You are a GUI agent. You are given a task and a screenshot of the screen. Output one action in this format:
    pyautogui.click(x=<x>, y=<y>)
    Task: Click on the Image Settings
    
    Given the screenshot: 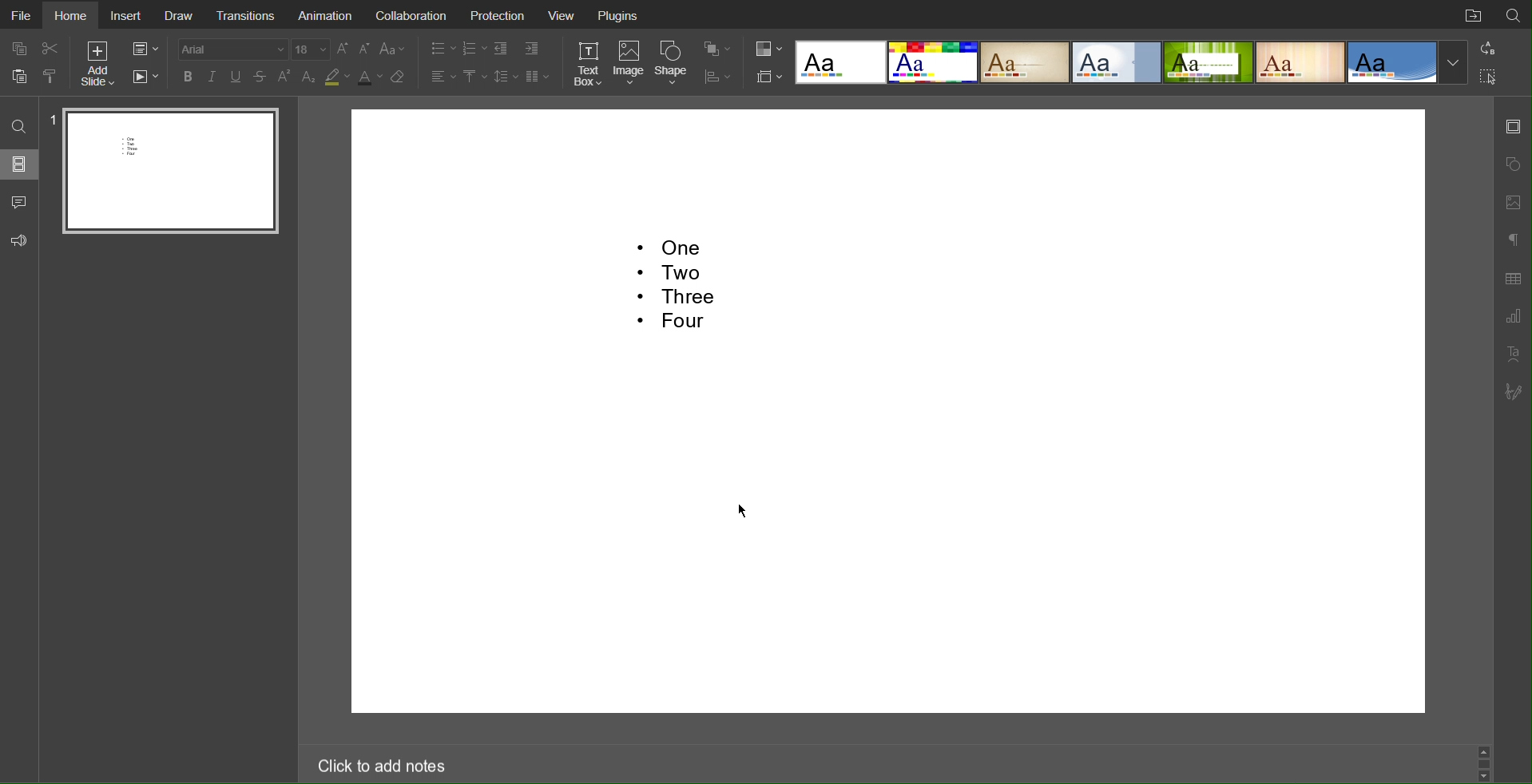 What is the action you would take?
    pyautogui.click(x=1511, y=202)
    